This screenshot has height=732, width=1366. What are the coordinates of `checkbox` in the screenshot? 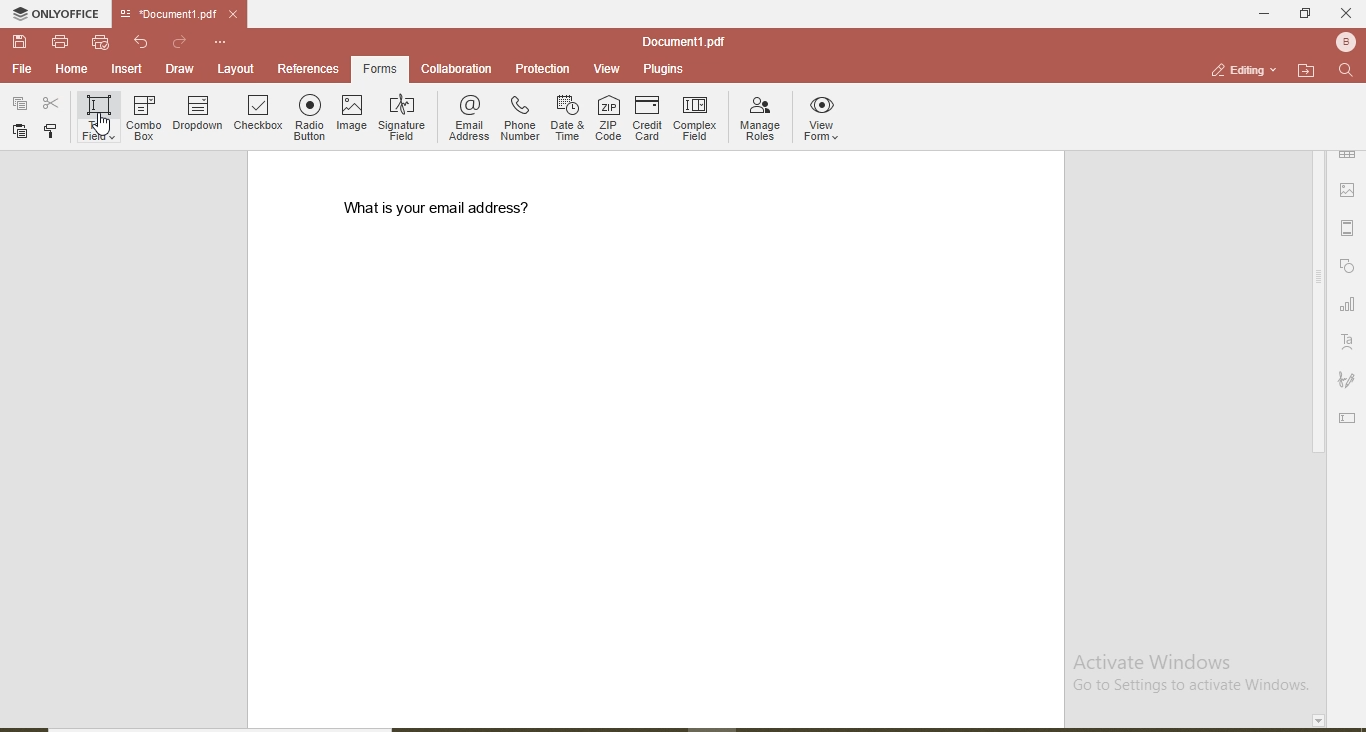 It's located at (258, 116).